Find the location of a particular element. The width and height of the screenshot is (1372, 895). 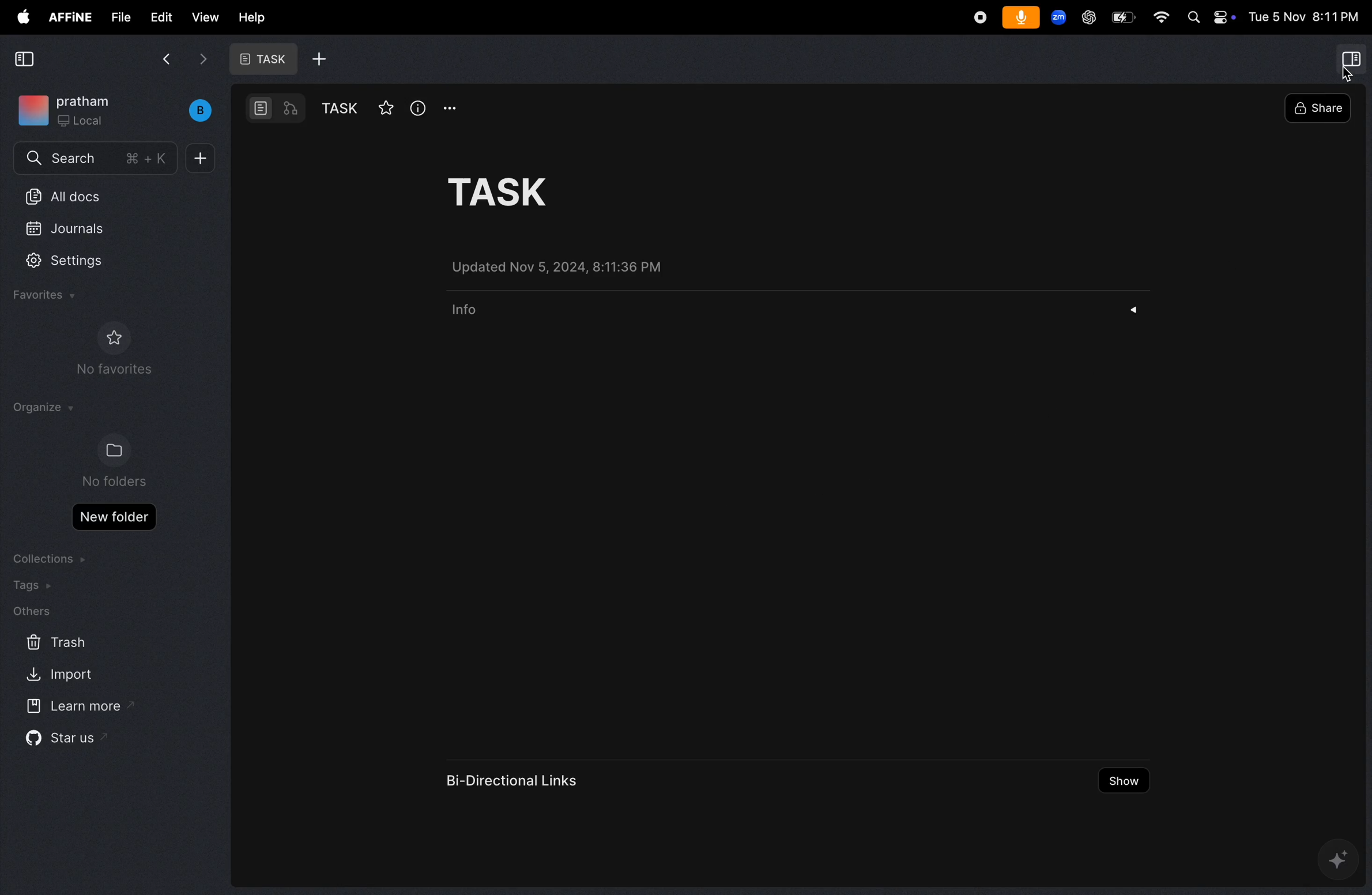

side bar is located at coordinates (1348, 61).